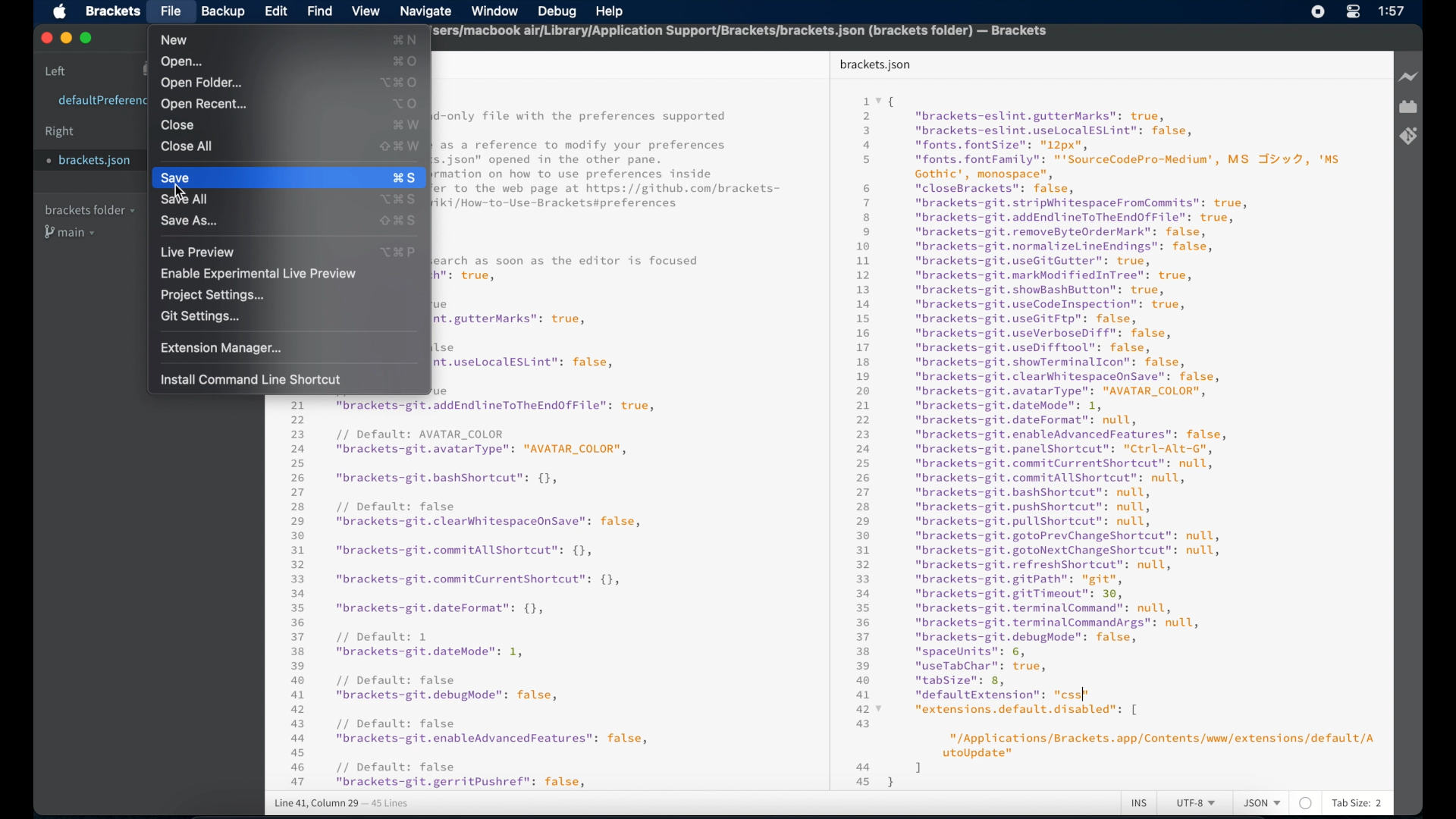 The width and height of the screenshot is (1456, 819). I want to click on brackets json, so click(875, 64).